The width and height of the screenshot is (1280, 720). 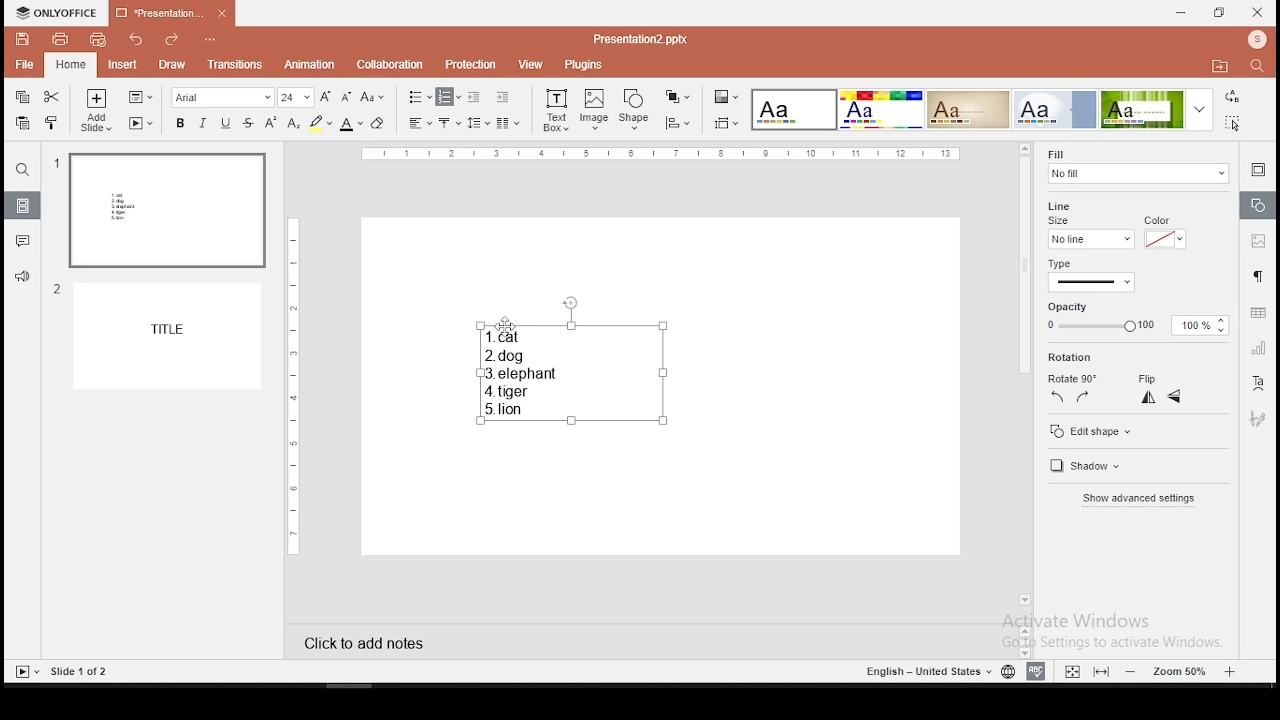 I want to click on spell check, so click(x=1039, y=672).